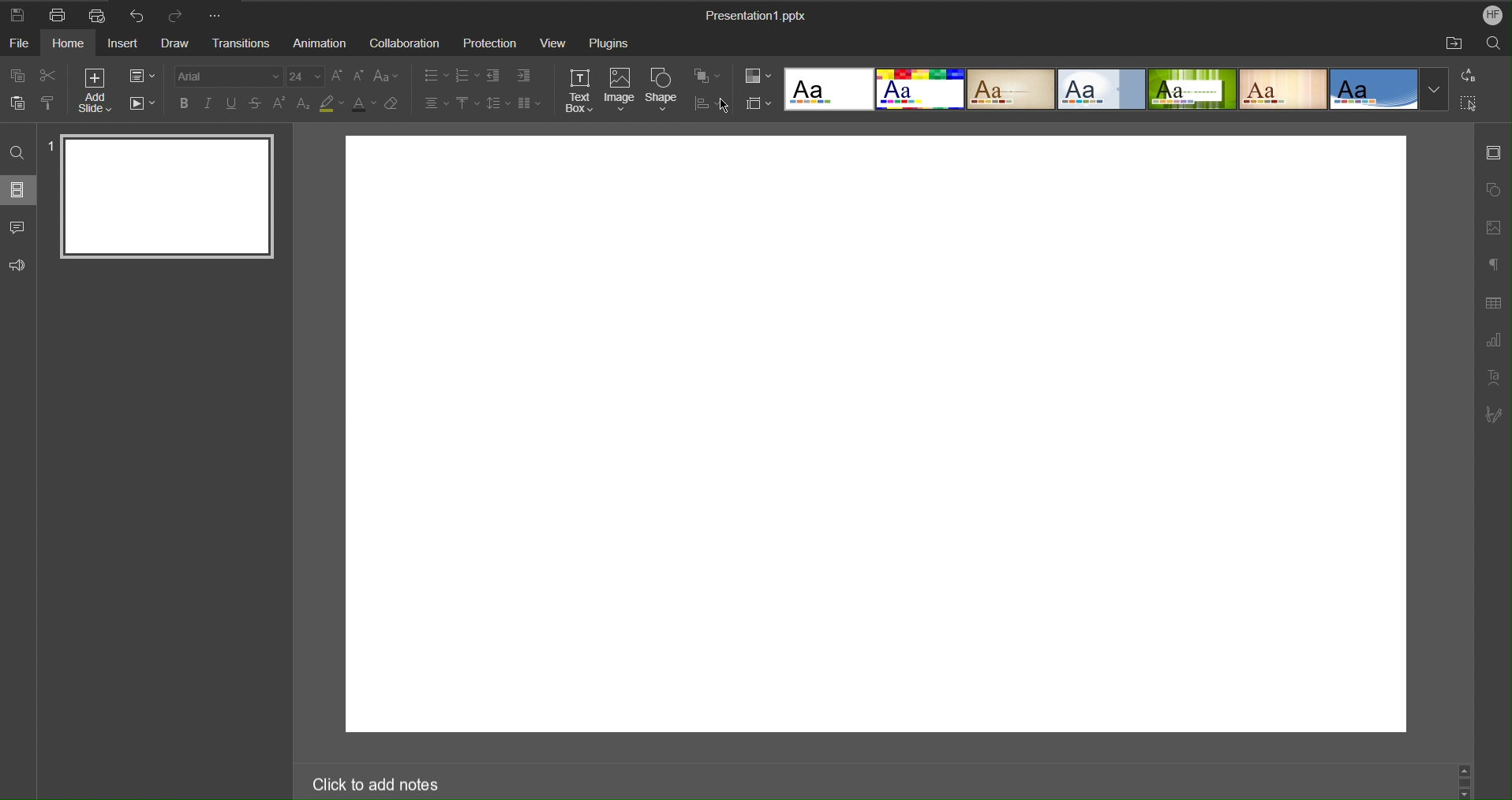 This screenshot has height=800, width=1512. What do you see at coordinates (97, 15) in the screenshot?
I see `Quick Print` at bounding box center [97, 15].